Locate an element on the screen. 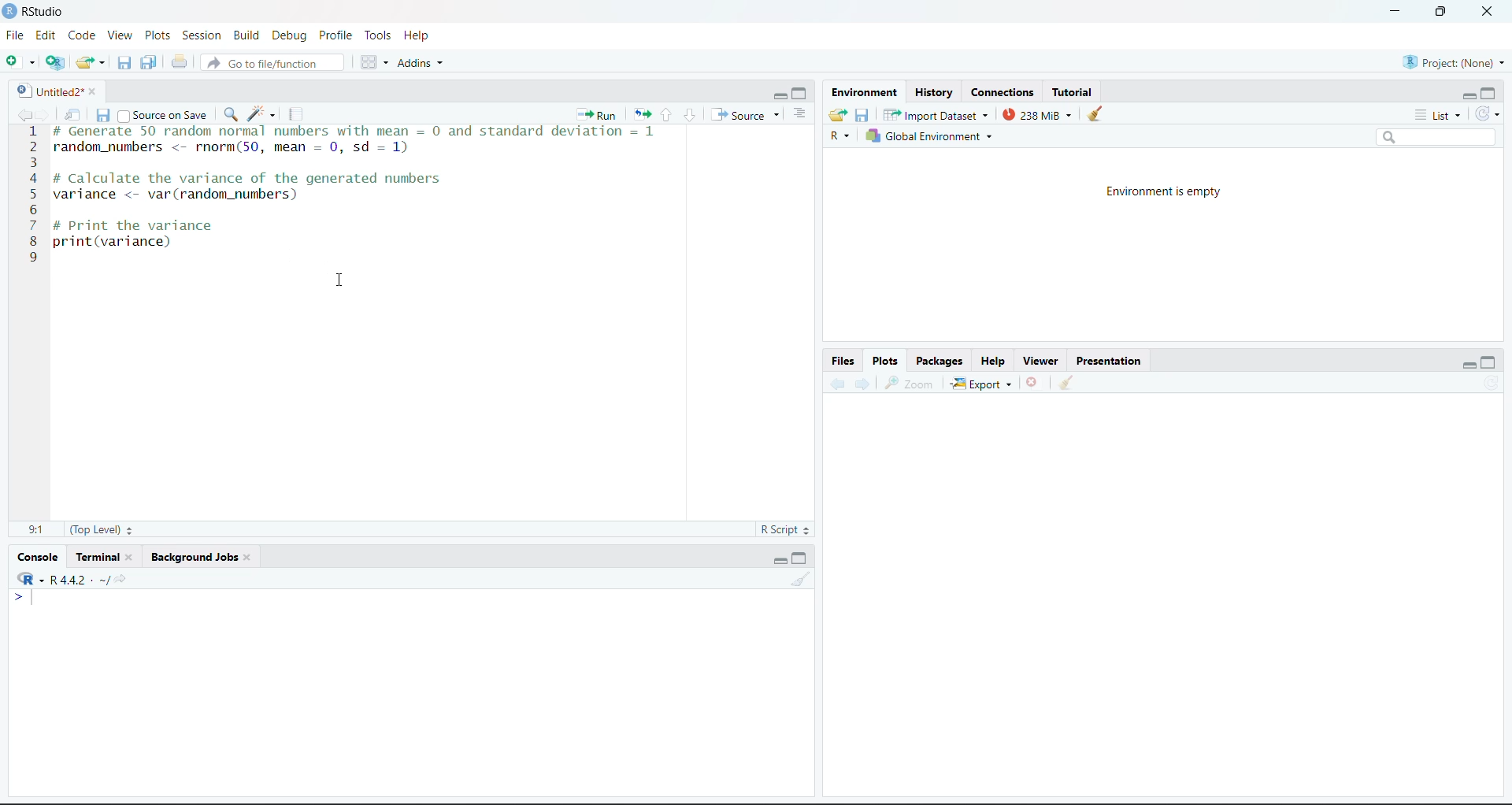  Source on Save is located at coordinates (163, 114).